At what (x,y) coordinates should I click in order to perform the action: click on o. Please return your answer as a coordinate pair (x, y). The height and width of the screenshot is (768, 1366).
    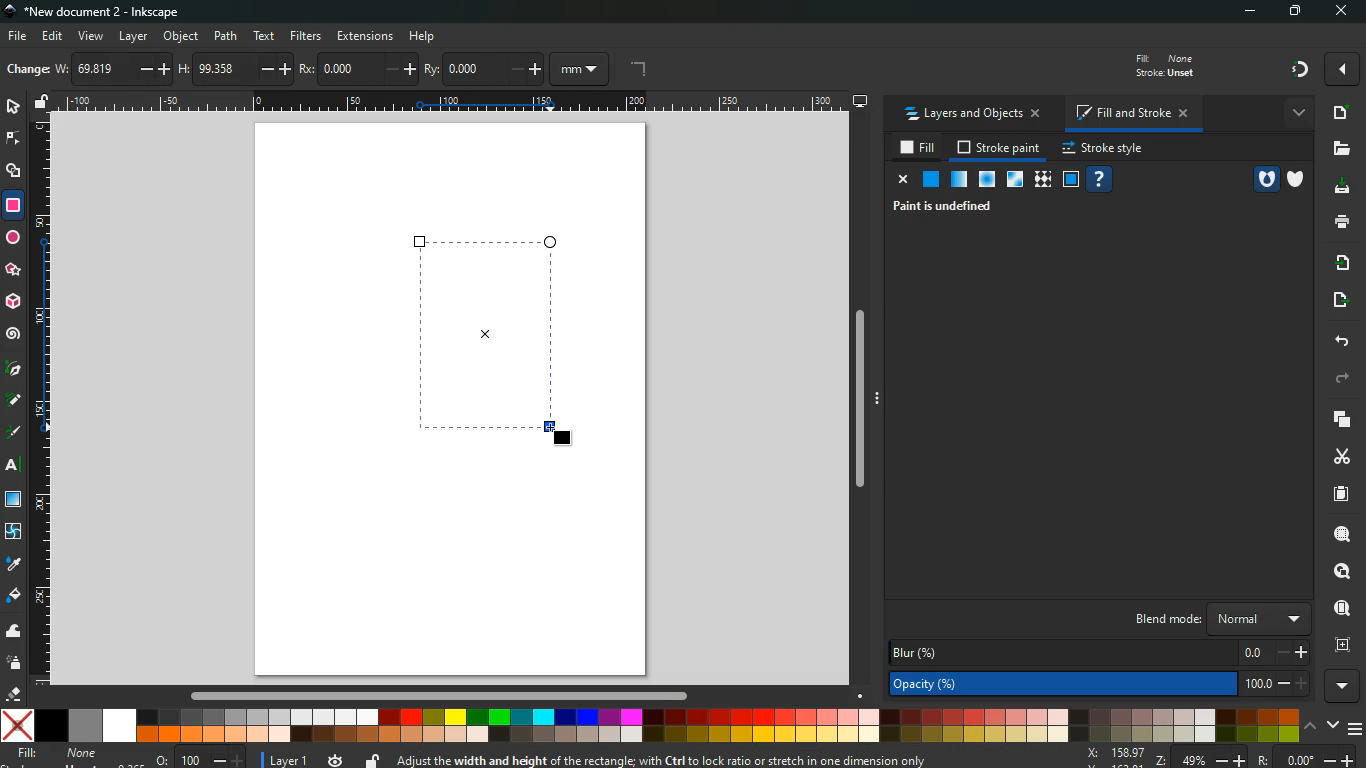
    Looking at the image, I should click on (195, 758).